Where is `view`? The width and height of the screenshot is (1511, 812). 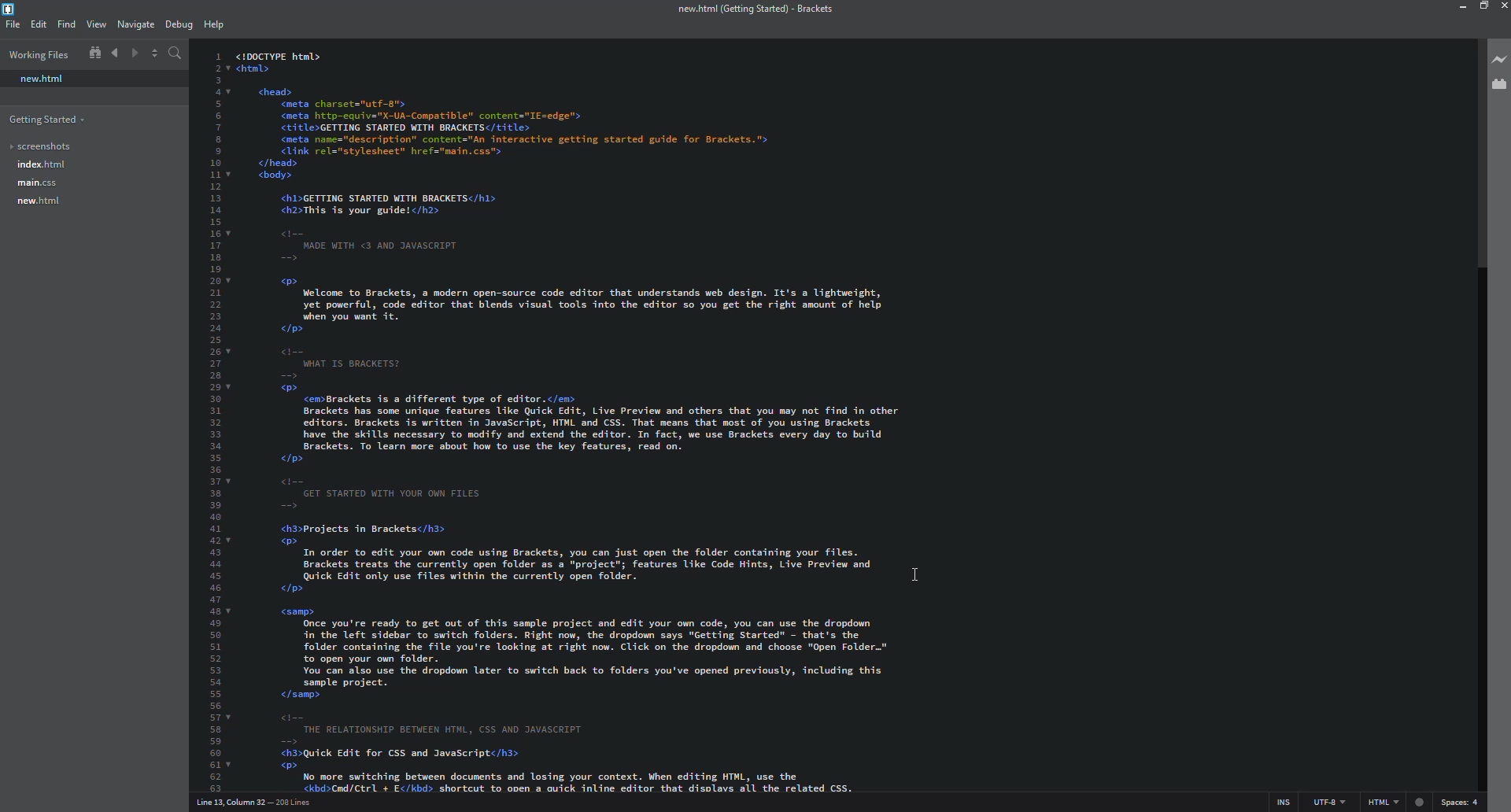
view is located at coordinates (97, 24).